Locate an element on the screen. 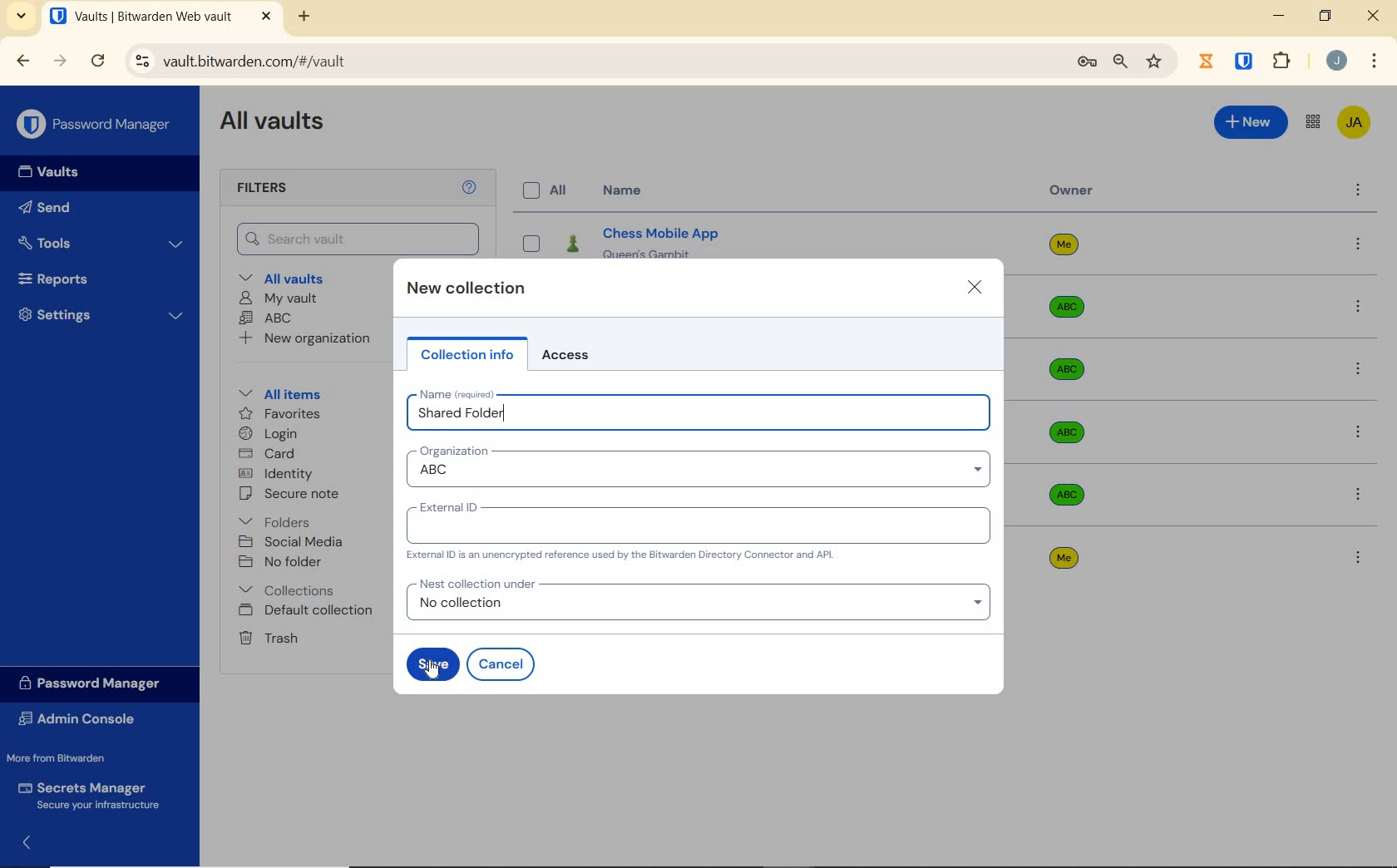  open tab is located at coordinates (160, 17).